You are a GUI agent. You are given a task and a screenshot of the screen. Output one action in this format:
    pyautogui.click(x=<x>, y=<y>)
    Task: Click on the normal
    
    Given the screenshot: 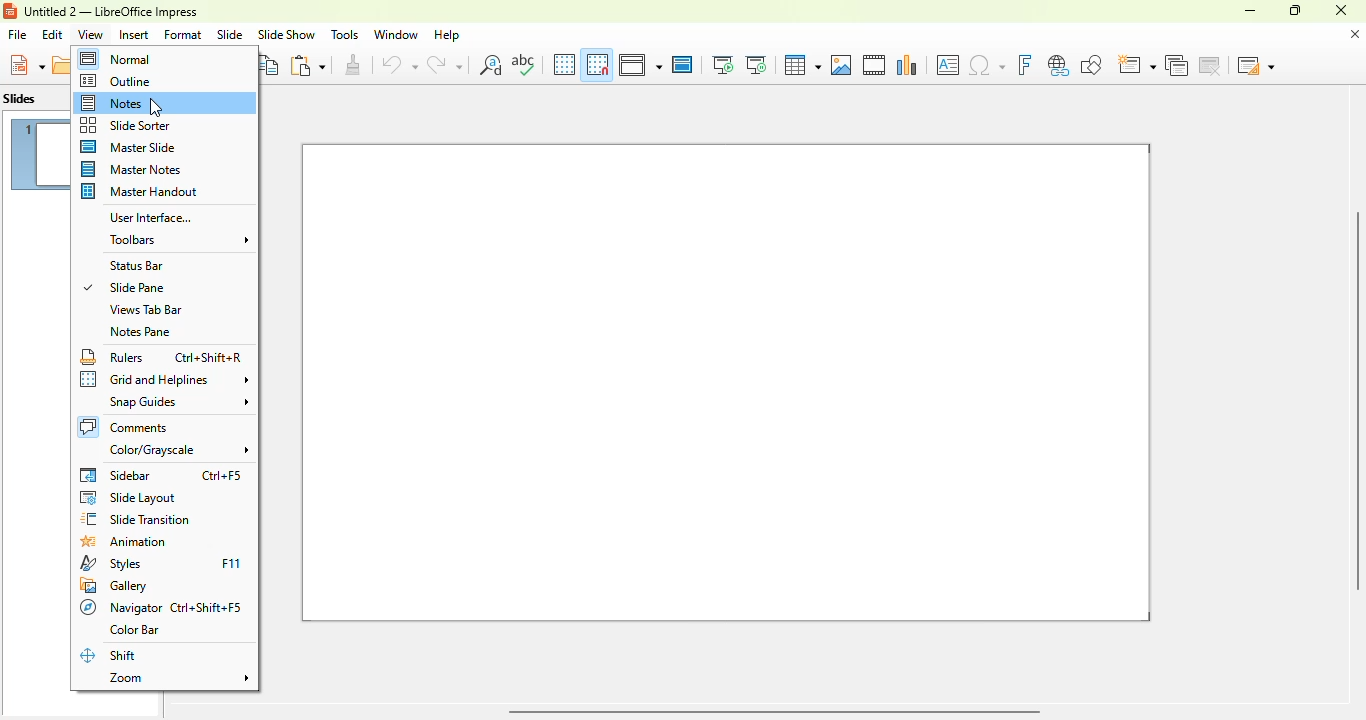 What is the action you would take?
    pyautogui.click(x=117, y=59)
    